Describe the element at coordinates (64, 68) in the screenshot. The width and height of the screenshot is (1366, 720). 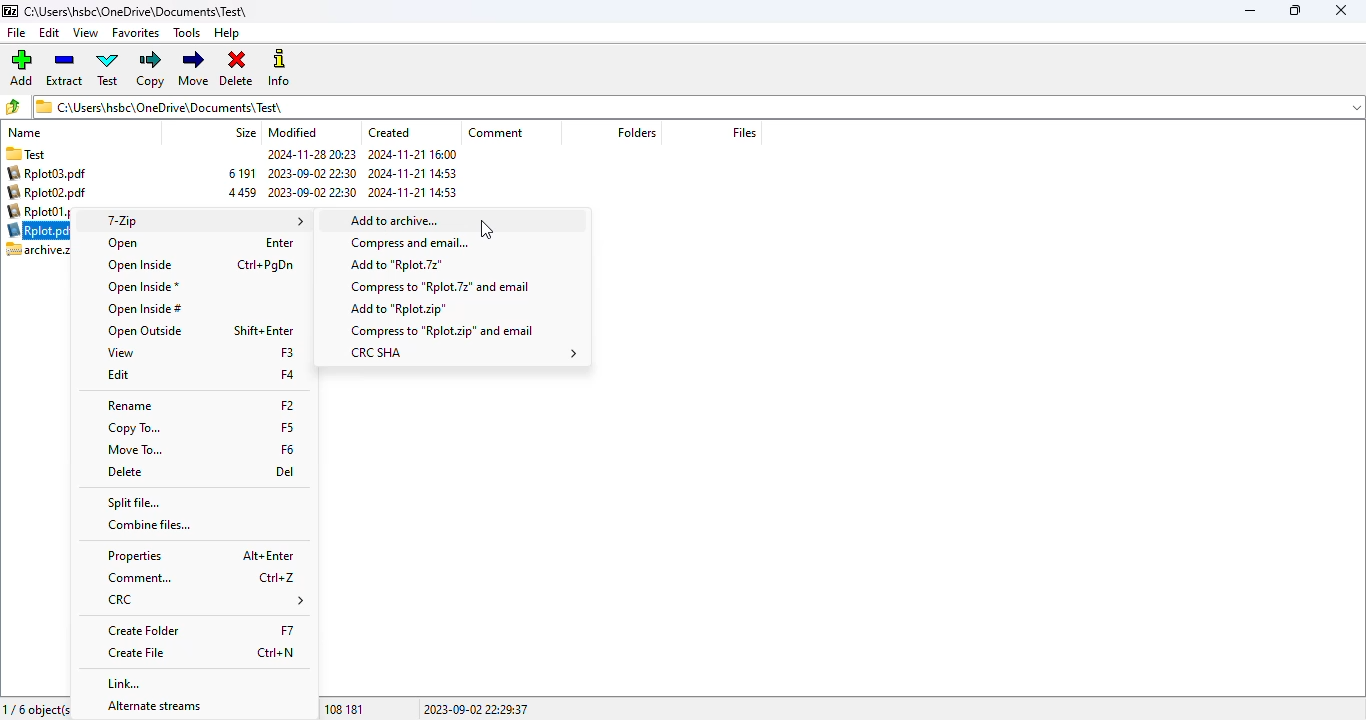
I see `extract` at that location.